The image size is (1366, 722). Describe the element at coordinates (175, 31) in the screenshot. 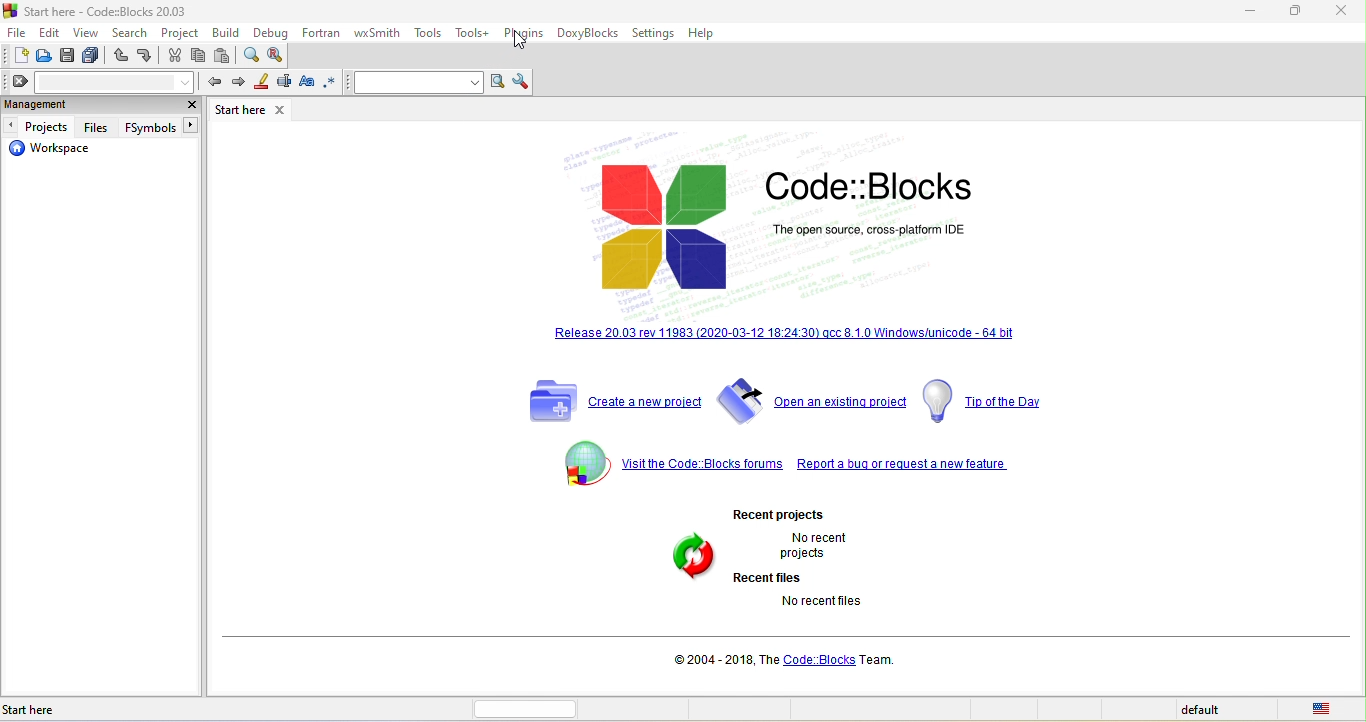

I see `project` at that location.